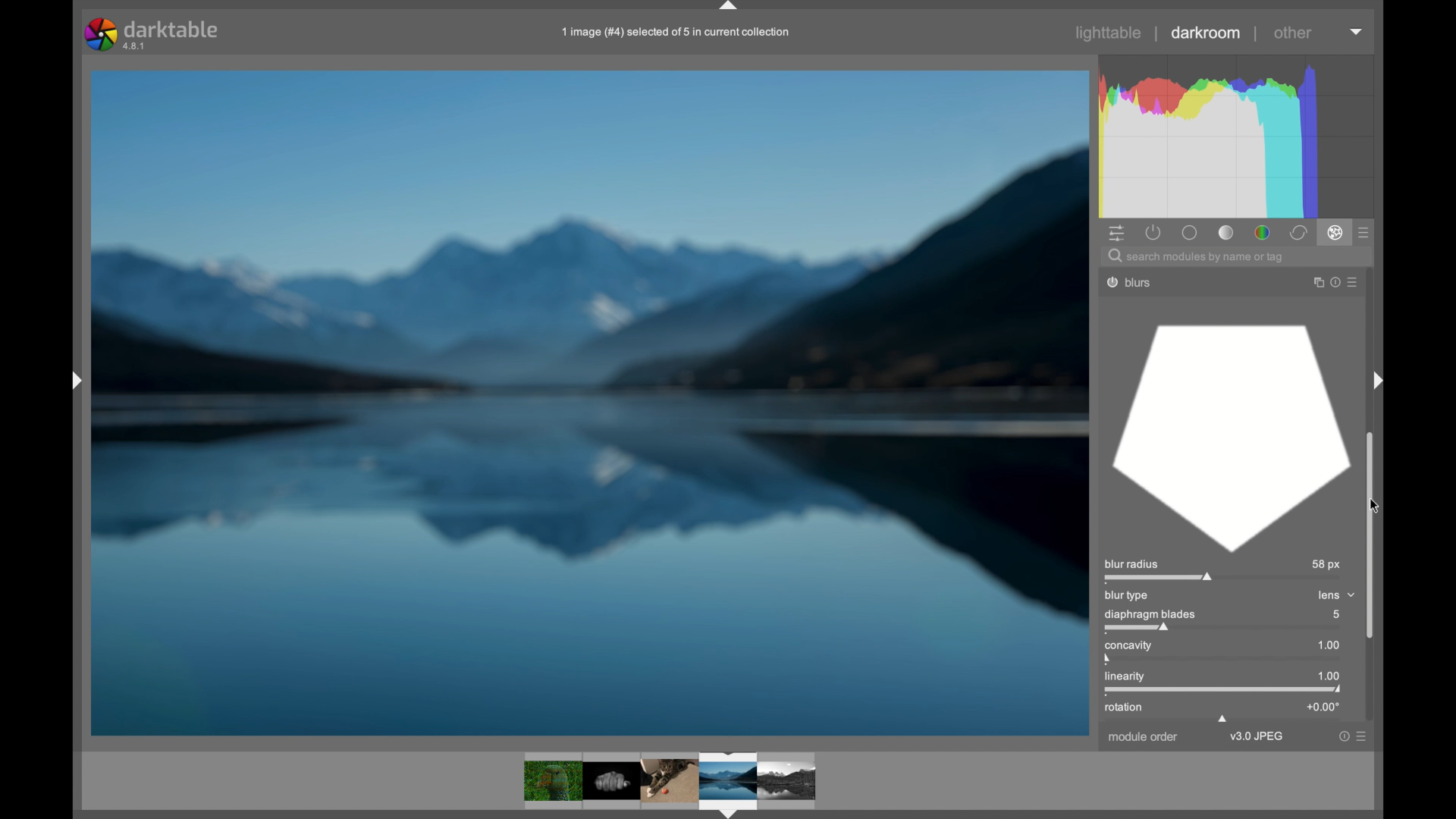  What do you see at coordinates (1207, 33) in the screenshot?
I see `darkroom` at bounding box center [1207, 33].